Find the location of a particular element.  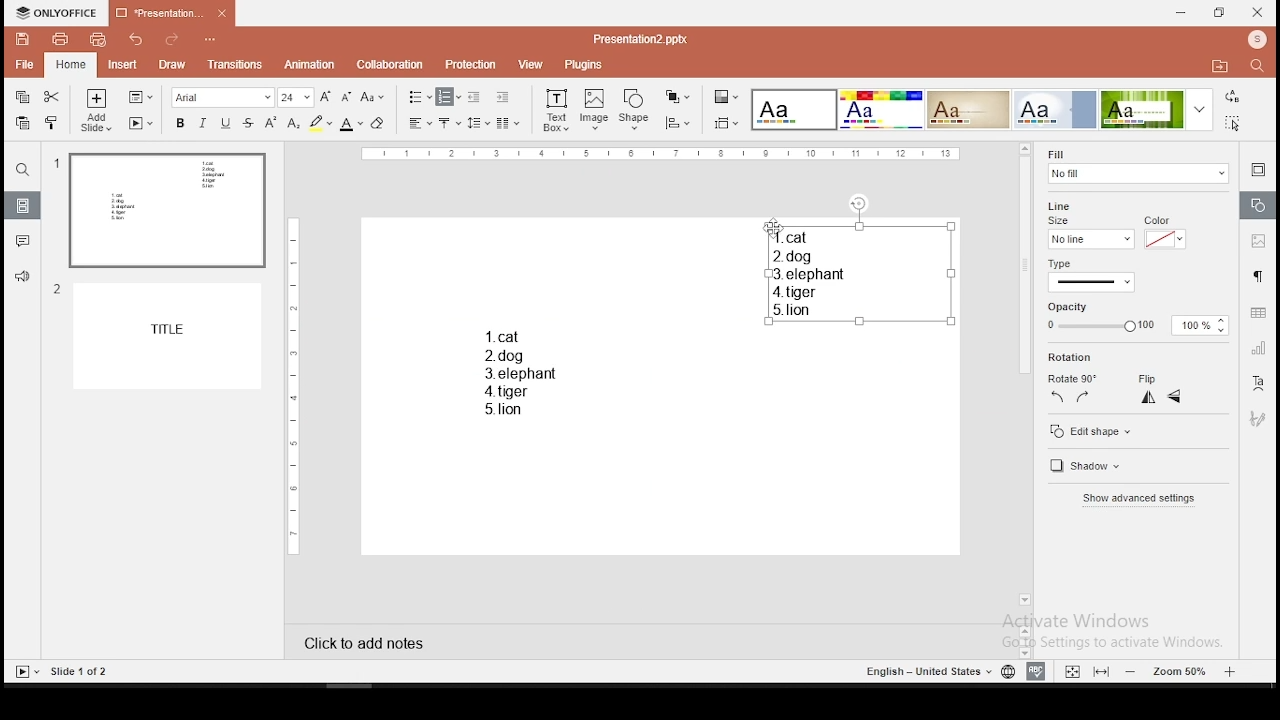

zoom level is located at coordinates (1178, 672).